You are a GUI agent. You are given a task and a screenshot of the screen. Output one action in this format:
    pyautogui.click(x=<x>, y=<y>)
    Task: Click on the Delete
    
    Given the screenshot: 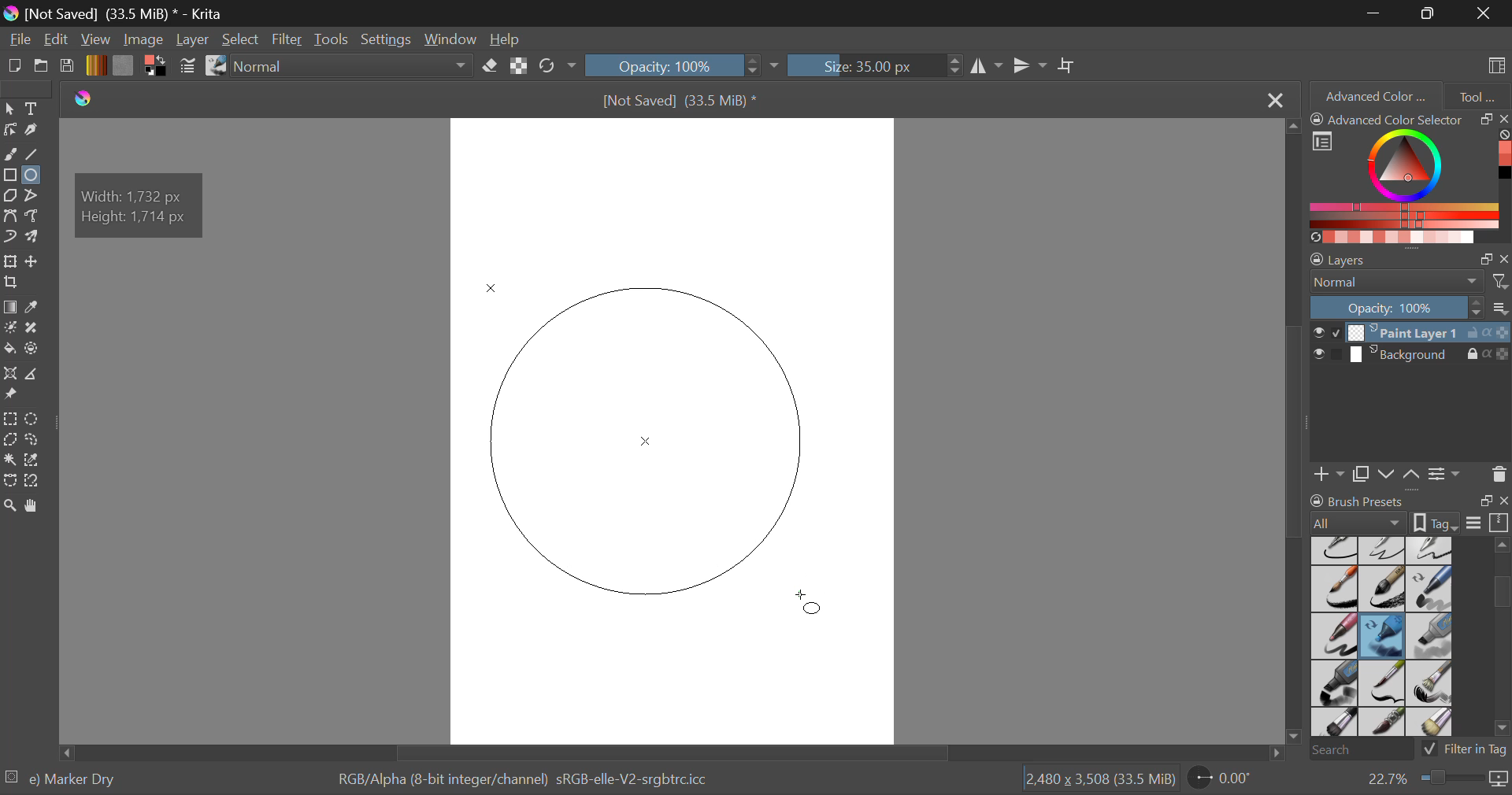 What is the action you would take?
    pyautogui.click(x=1499, y=474)
    